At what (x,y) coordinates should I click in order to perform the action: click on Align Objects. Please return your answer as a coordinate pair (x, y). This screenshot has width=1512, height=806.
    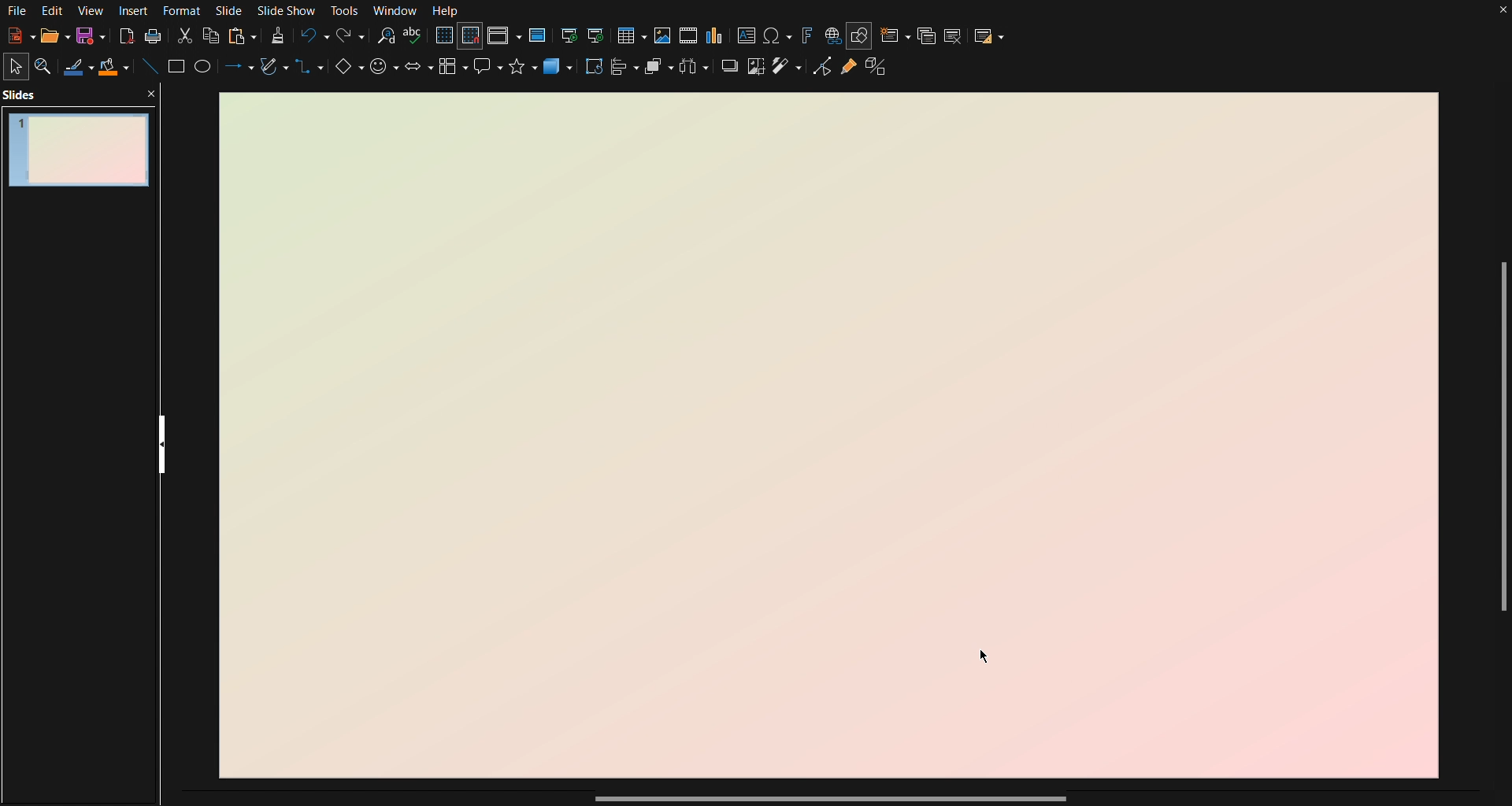
    Looking at the image, I should click on (627, 72).